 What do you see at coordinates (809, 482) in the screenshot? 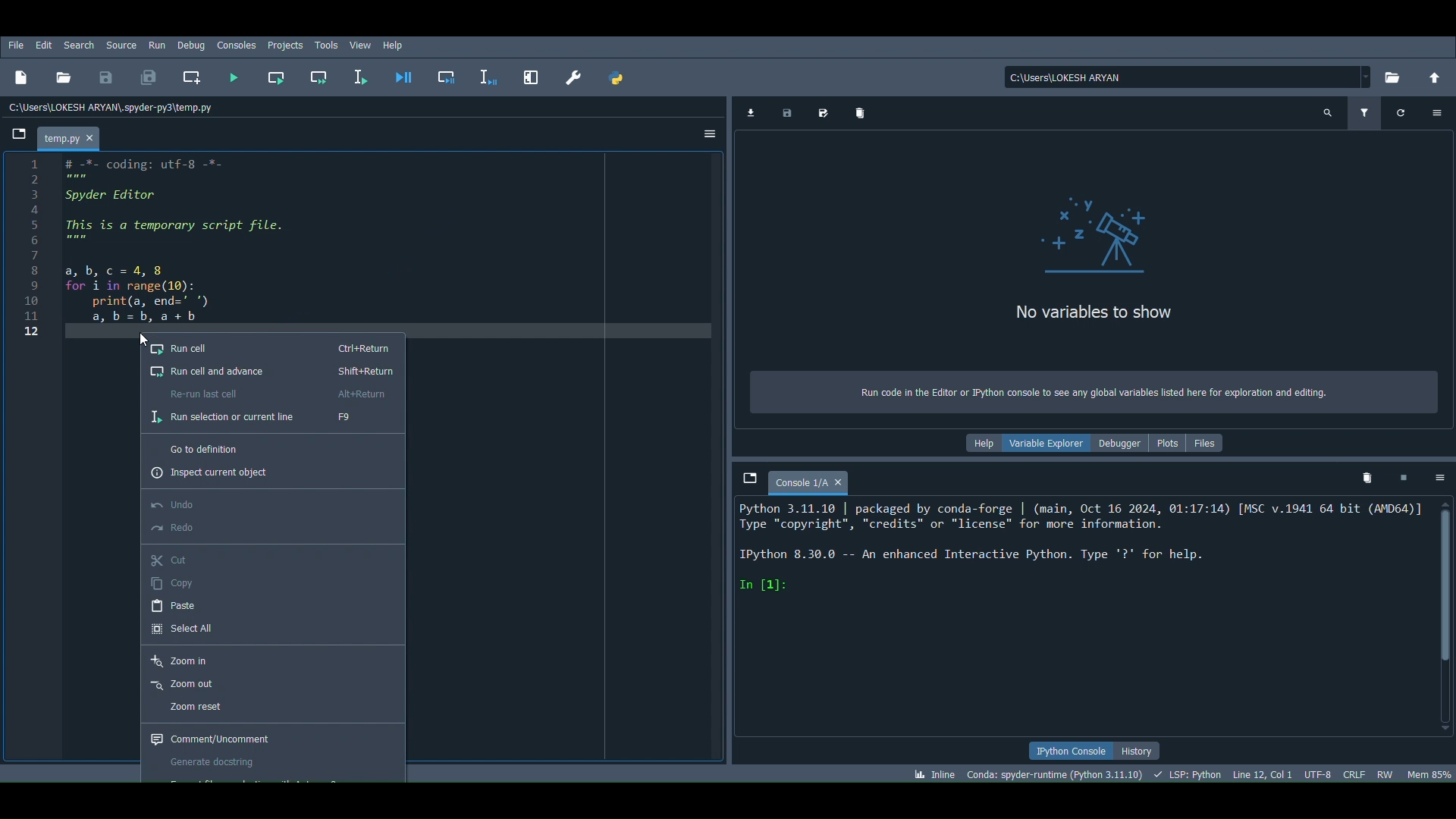
I see `Console` at bounding box center [809, 482].